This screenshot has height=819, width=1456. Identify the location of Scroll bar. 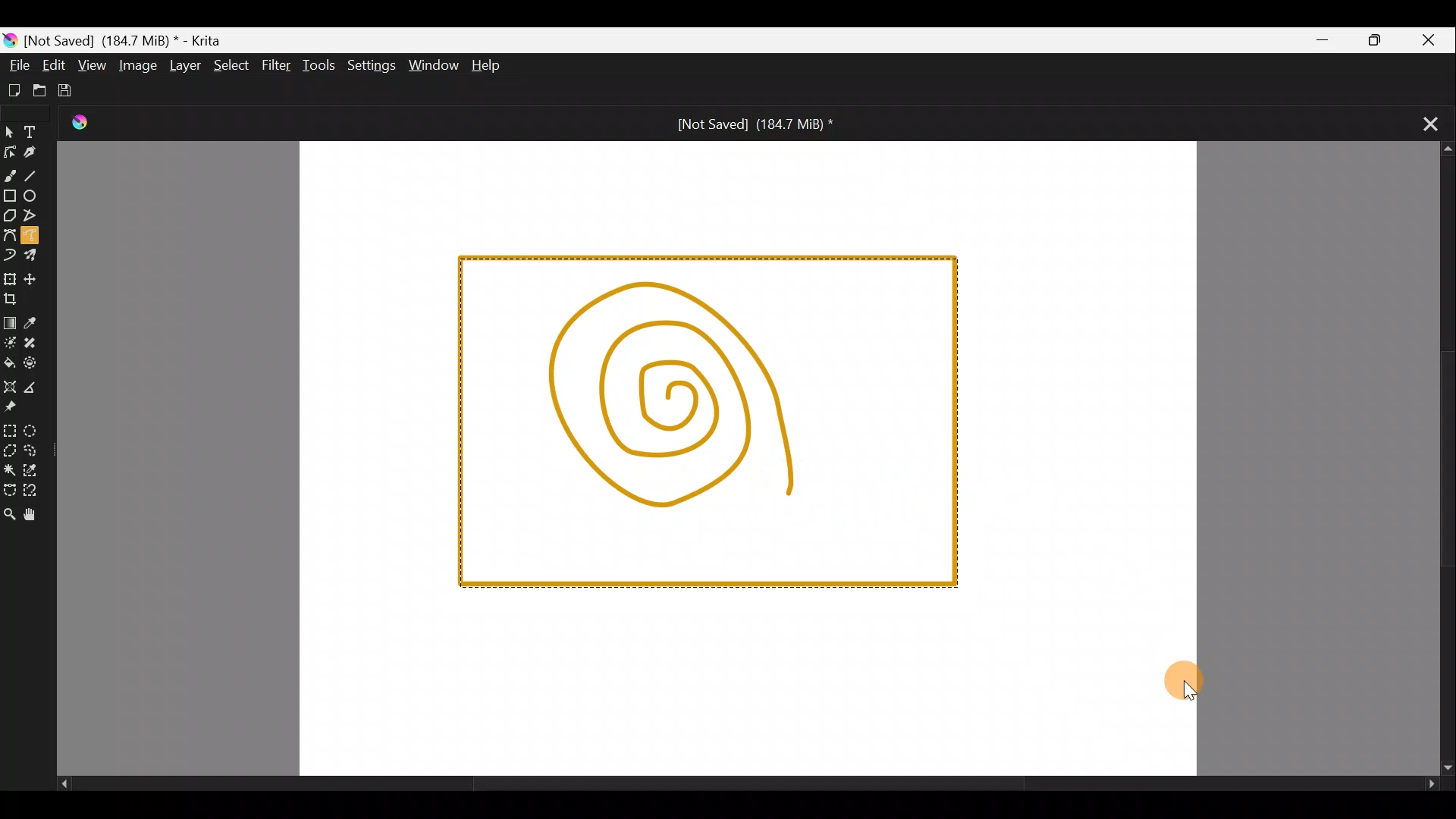
(1434, 460).